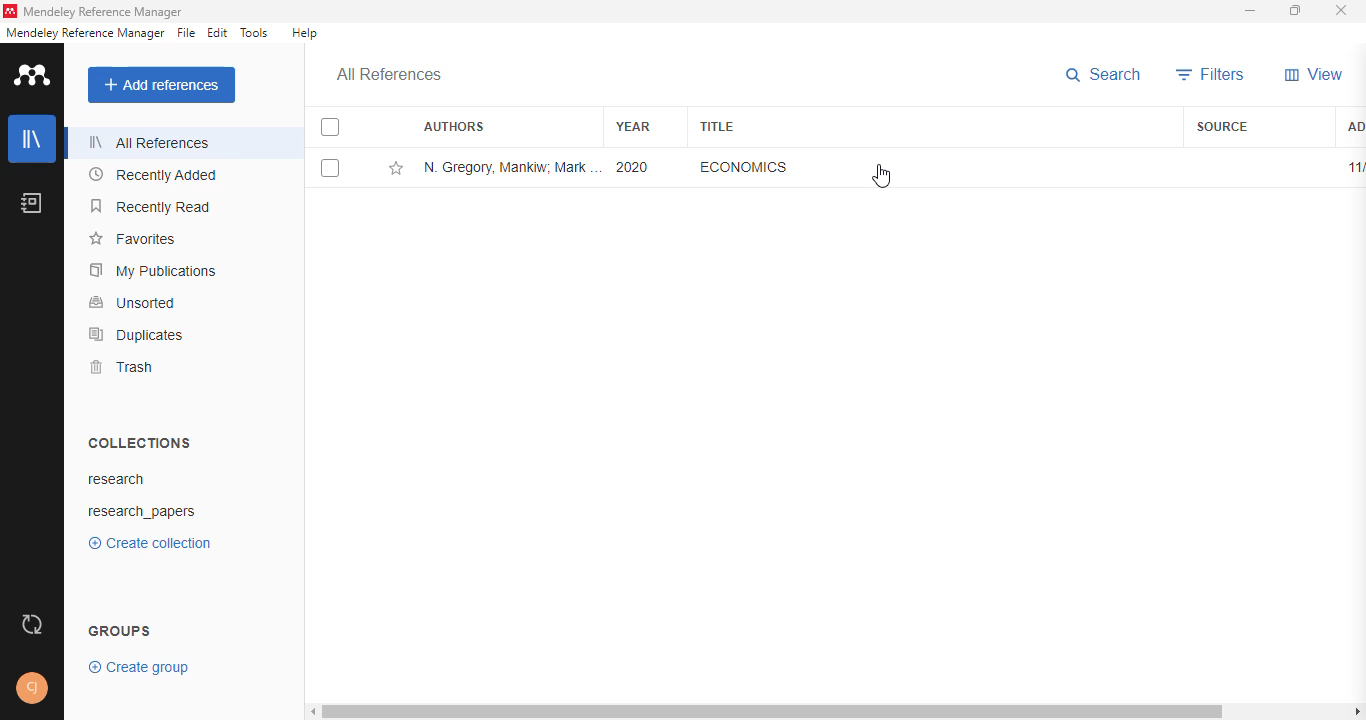 This screenshot has width=1366, height=720. What do you see at coordinates (1250, 11) in the screenshot?
I see `minimize` at bounding box center [1250, 11].